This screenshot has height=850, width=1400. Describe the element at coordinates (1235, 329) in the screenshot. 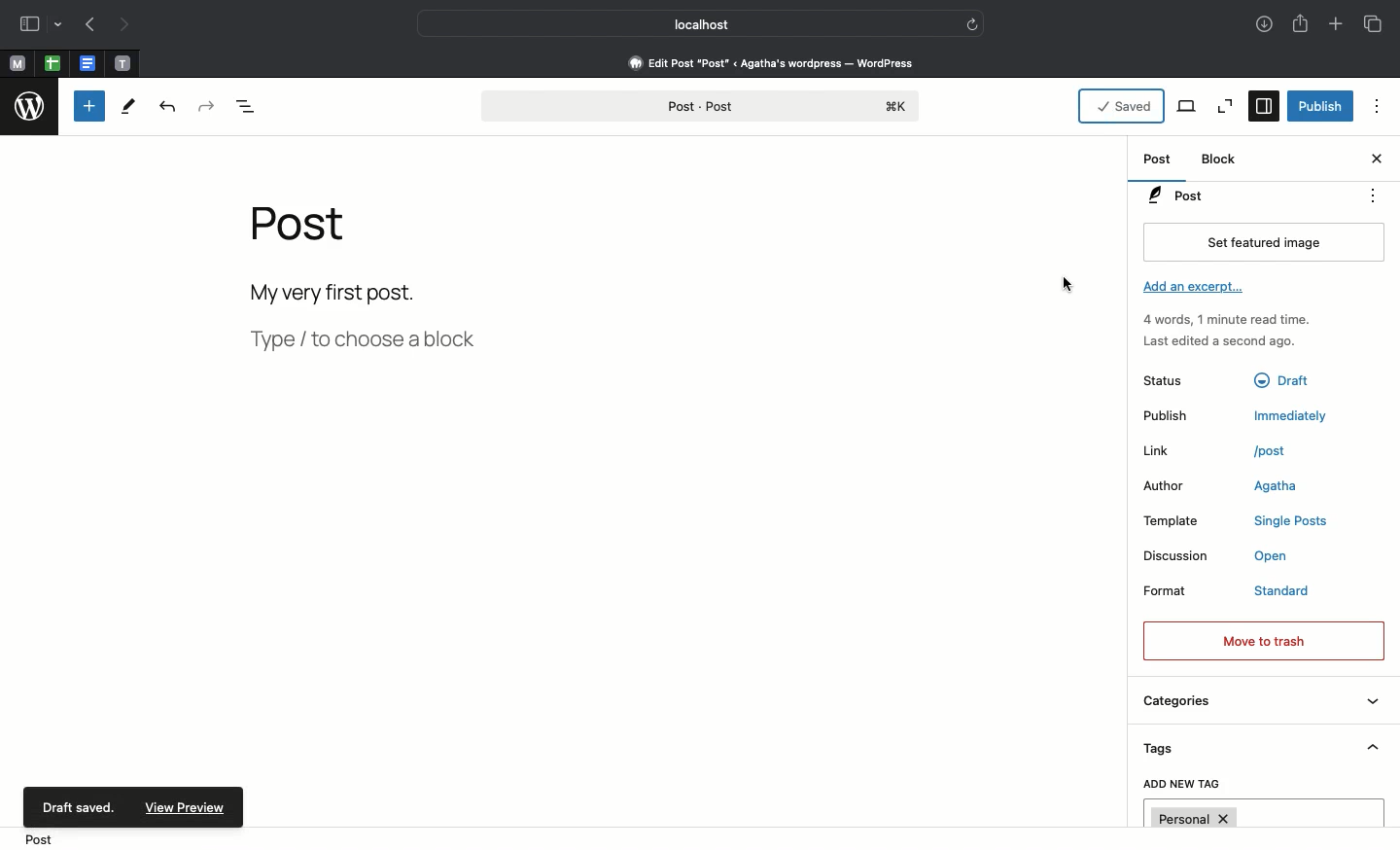

I see `Activity` at that location.